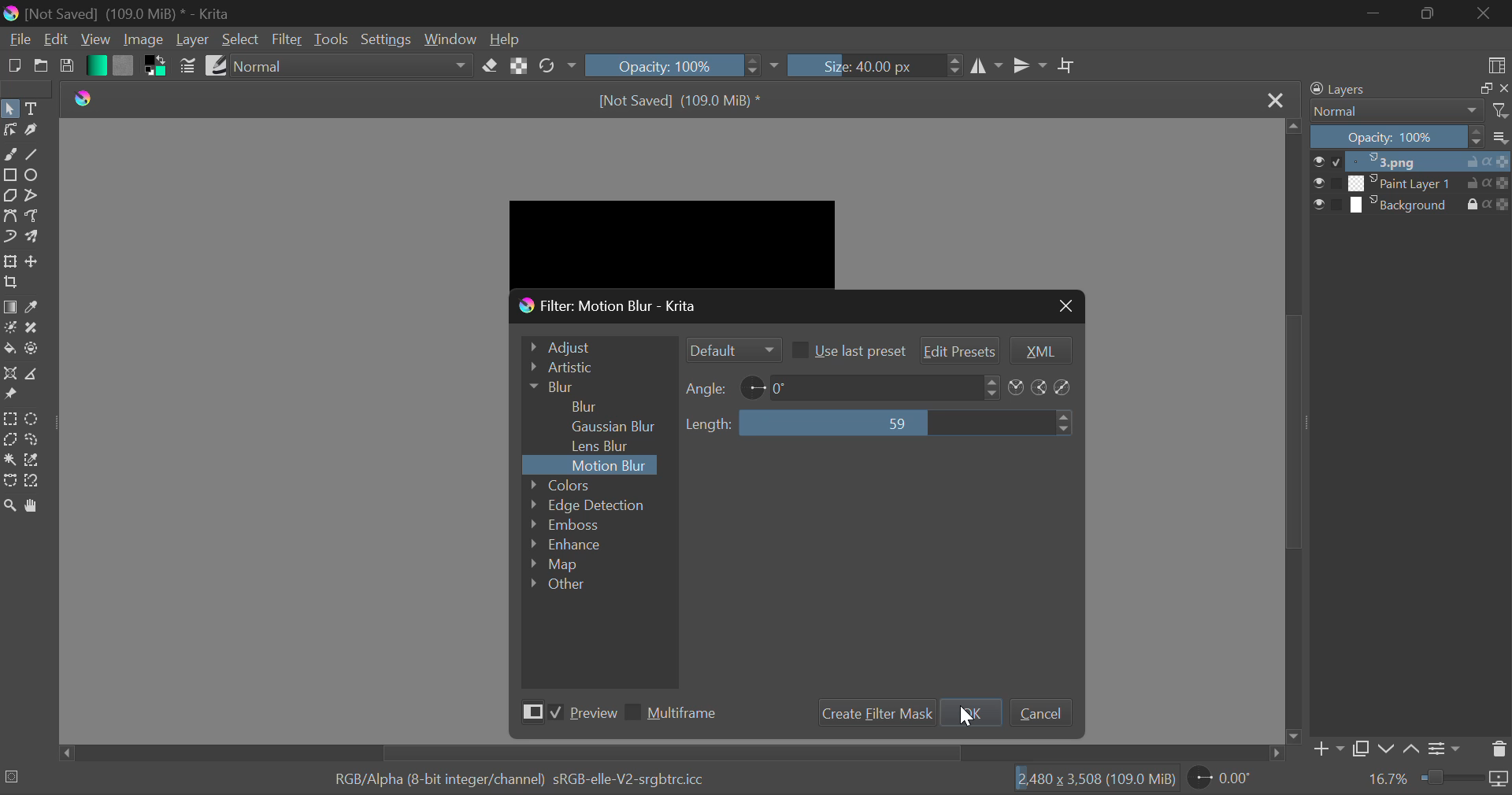 The height and width of the screenshot is (795, 1512). What do you see at coordinates (1386, 749) in the screenshot?
I see `Move Layer Down` at bounding box center [1386, 749].